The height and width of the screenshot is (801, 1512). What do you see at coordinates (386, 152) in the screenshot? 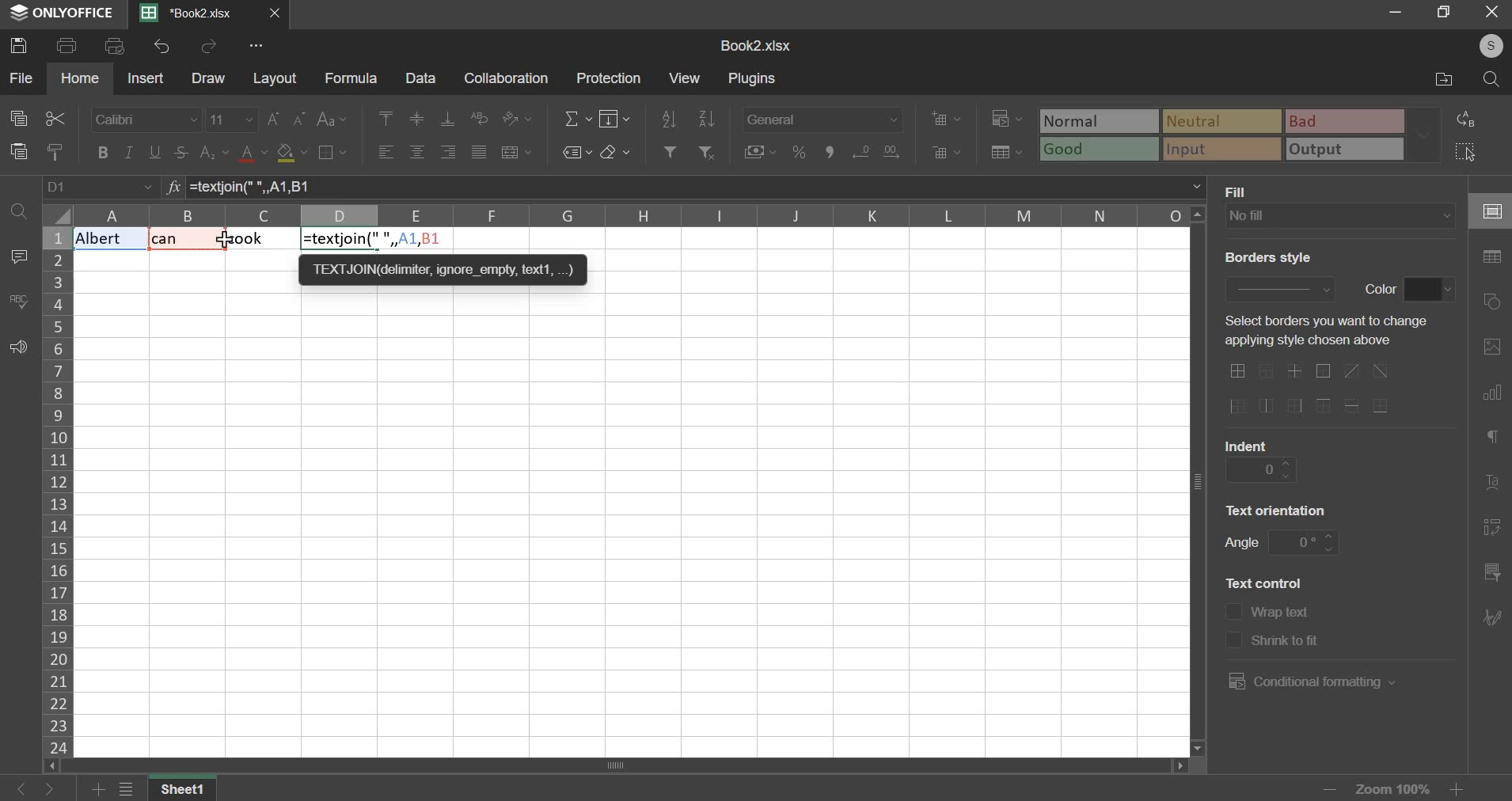
I see `align left` at bounding box center [386, 152].